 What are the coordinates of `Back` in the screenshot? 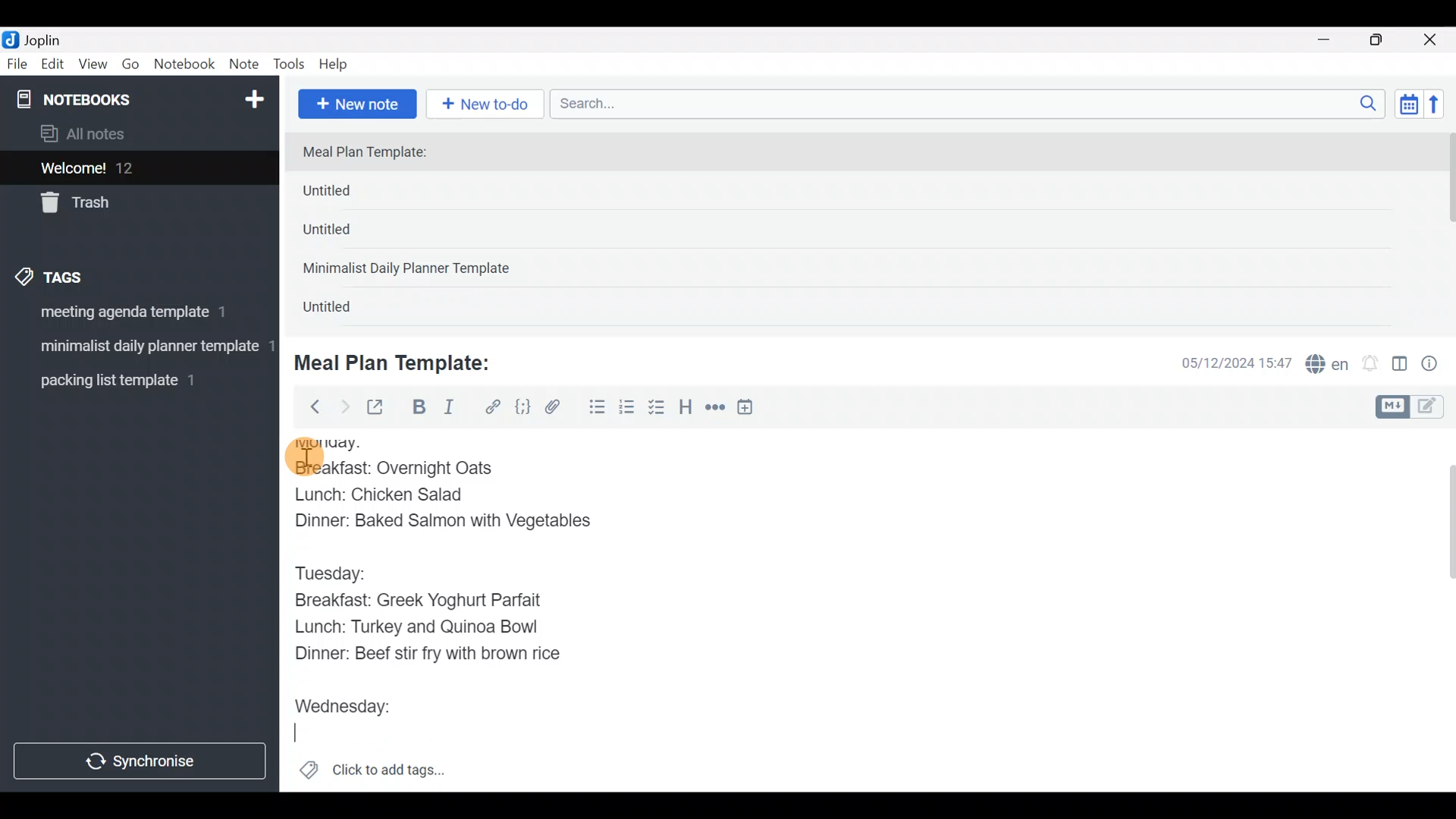 It's located at (309, 406).